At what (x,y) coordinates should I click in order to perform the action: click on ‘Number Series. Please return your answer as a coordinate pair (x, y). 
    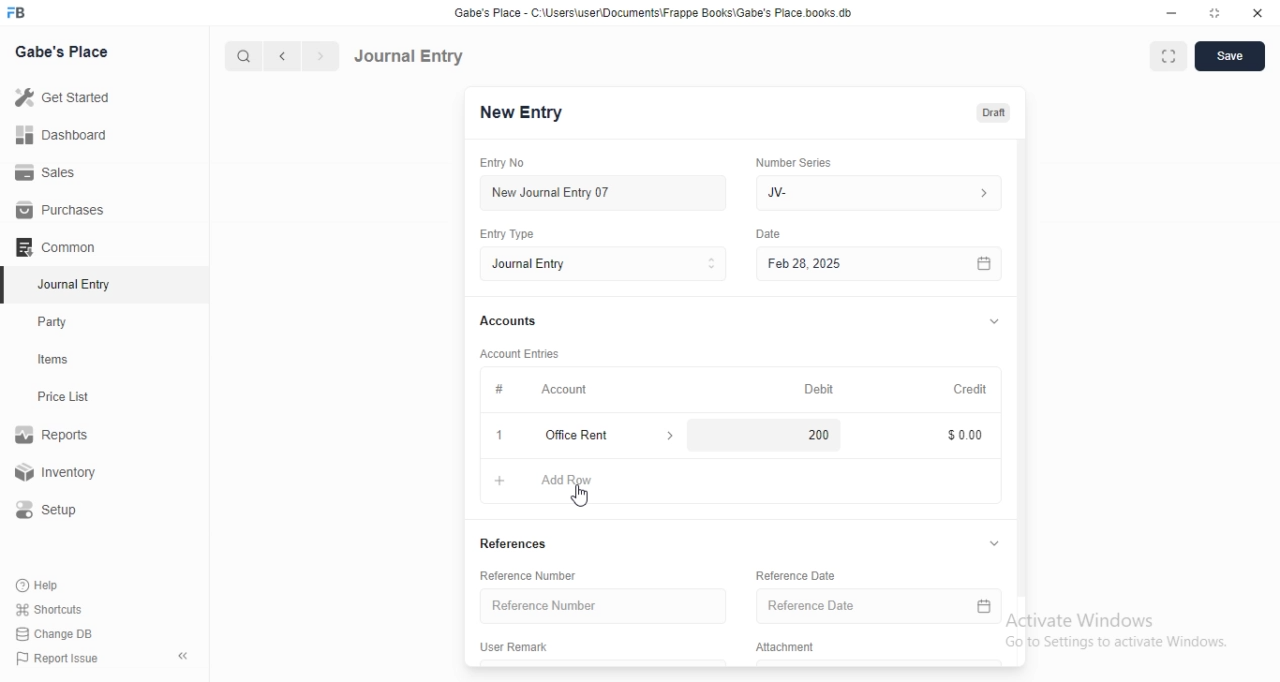
    Looking at the image, I should click on (792, 162).